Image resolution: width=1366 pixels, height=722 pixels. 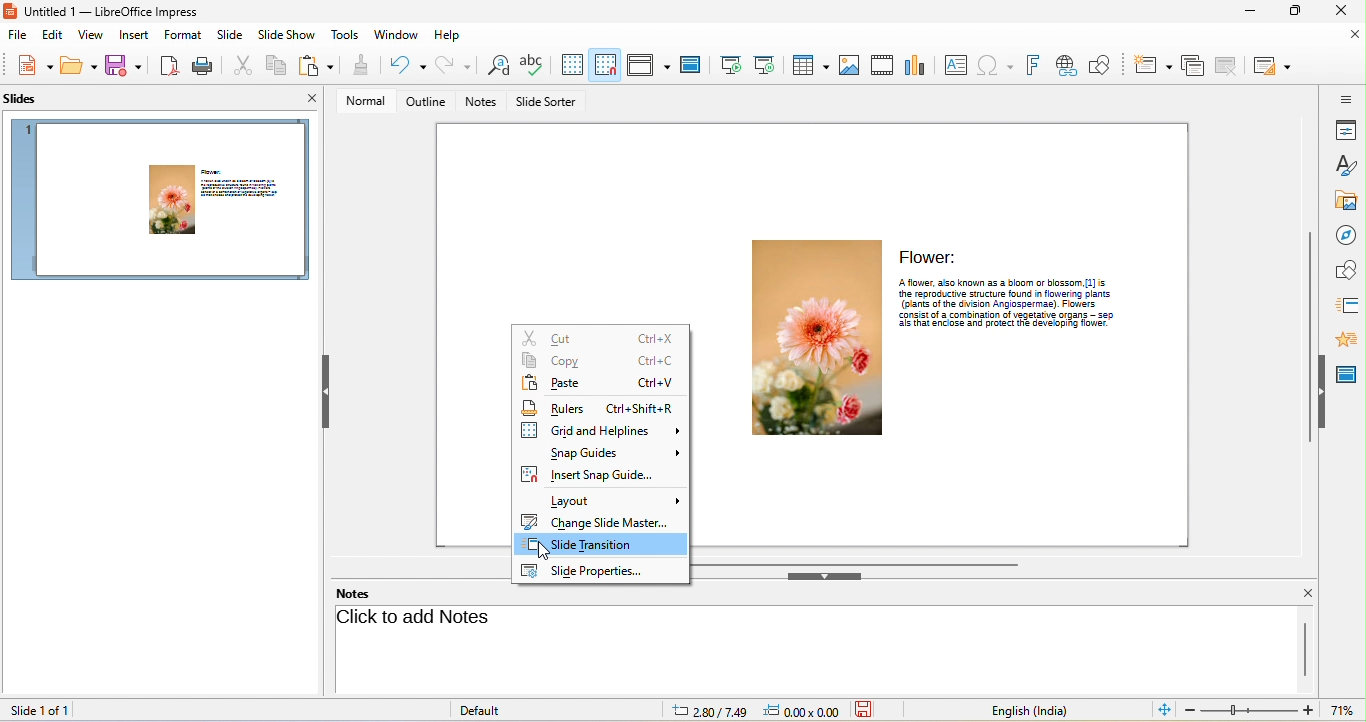 What do you see at coordinates (1349, 375) in the screenshot?
I see `master slide` at bounding box center [1349, 375].